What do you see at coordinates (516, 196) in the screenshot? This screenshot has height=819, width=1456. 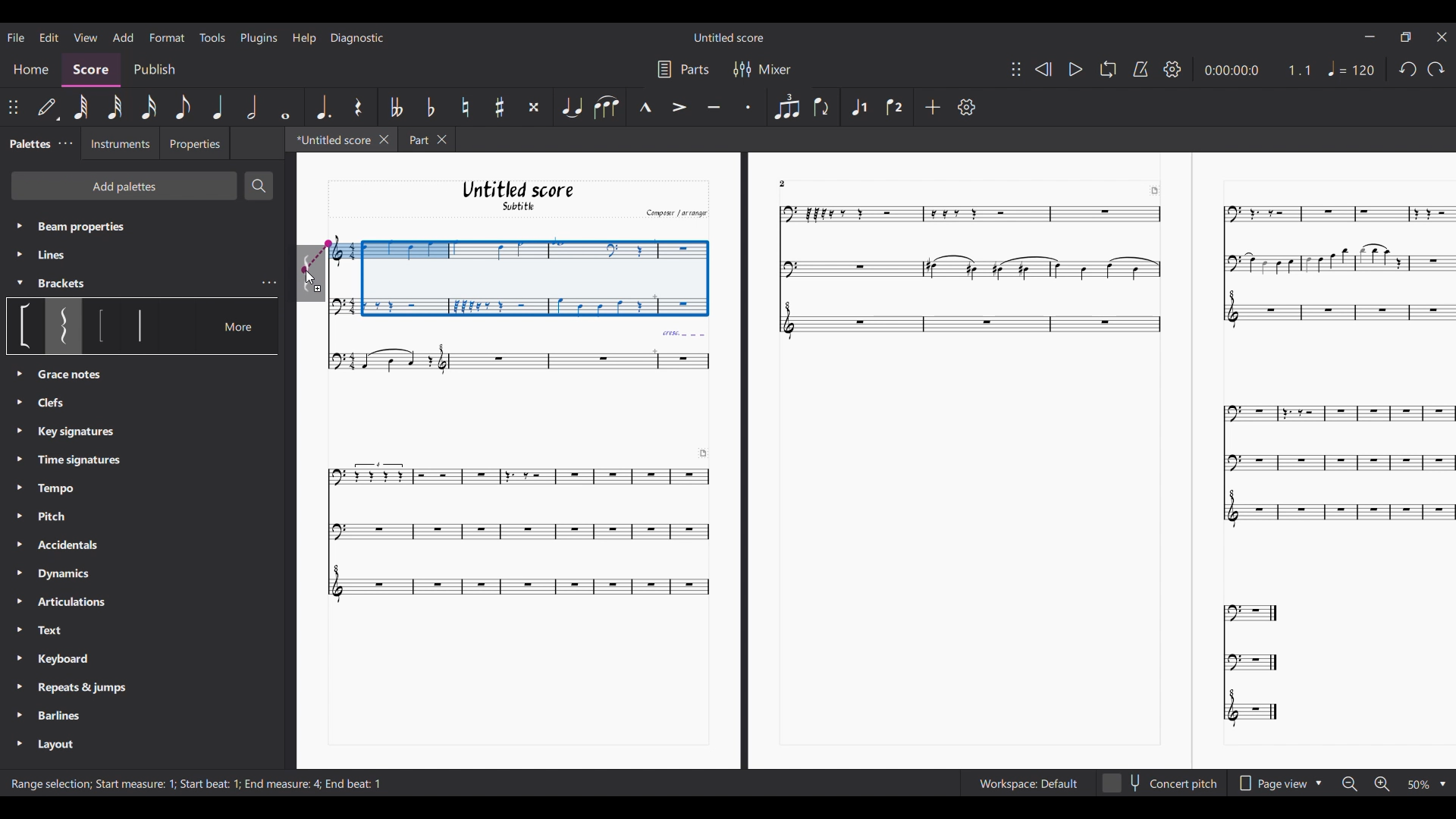 I see `Untitled score
Subtitle` at bounding box center [516, 196].